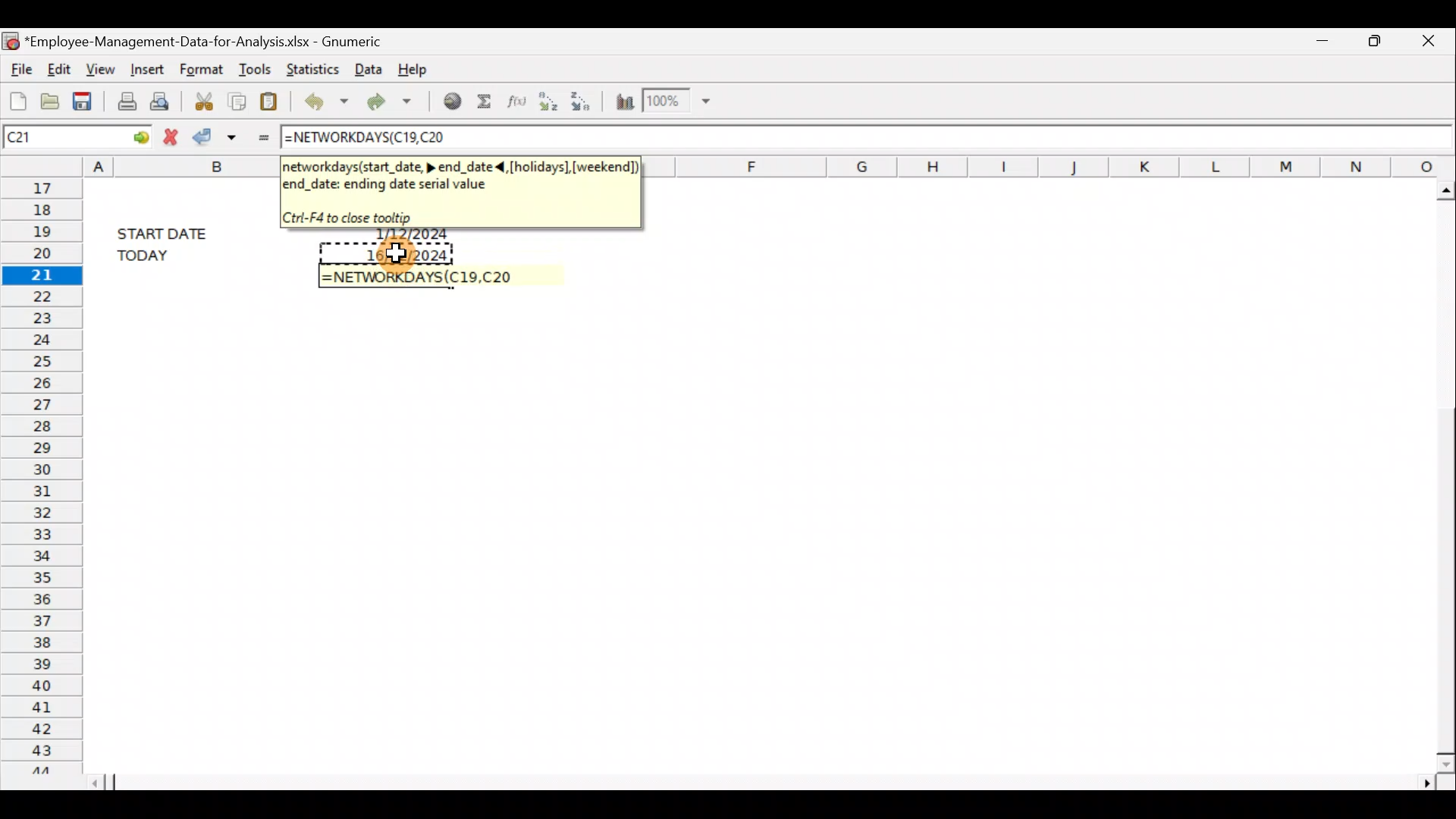  Describe the element at coordinates (171, 231) in the screenshot. I see `START DATE` at that location.